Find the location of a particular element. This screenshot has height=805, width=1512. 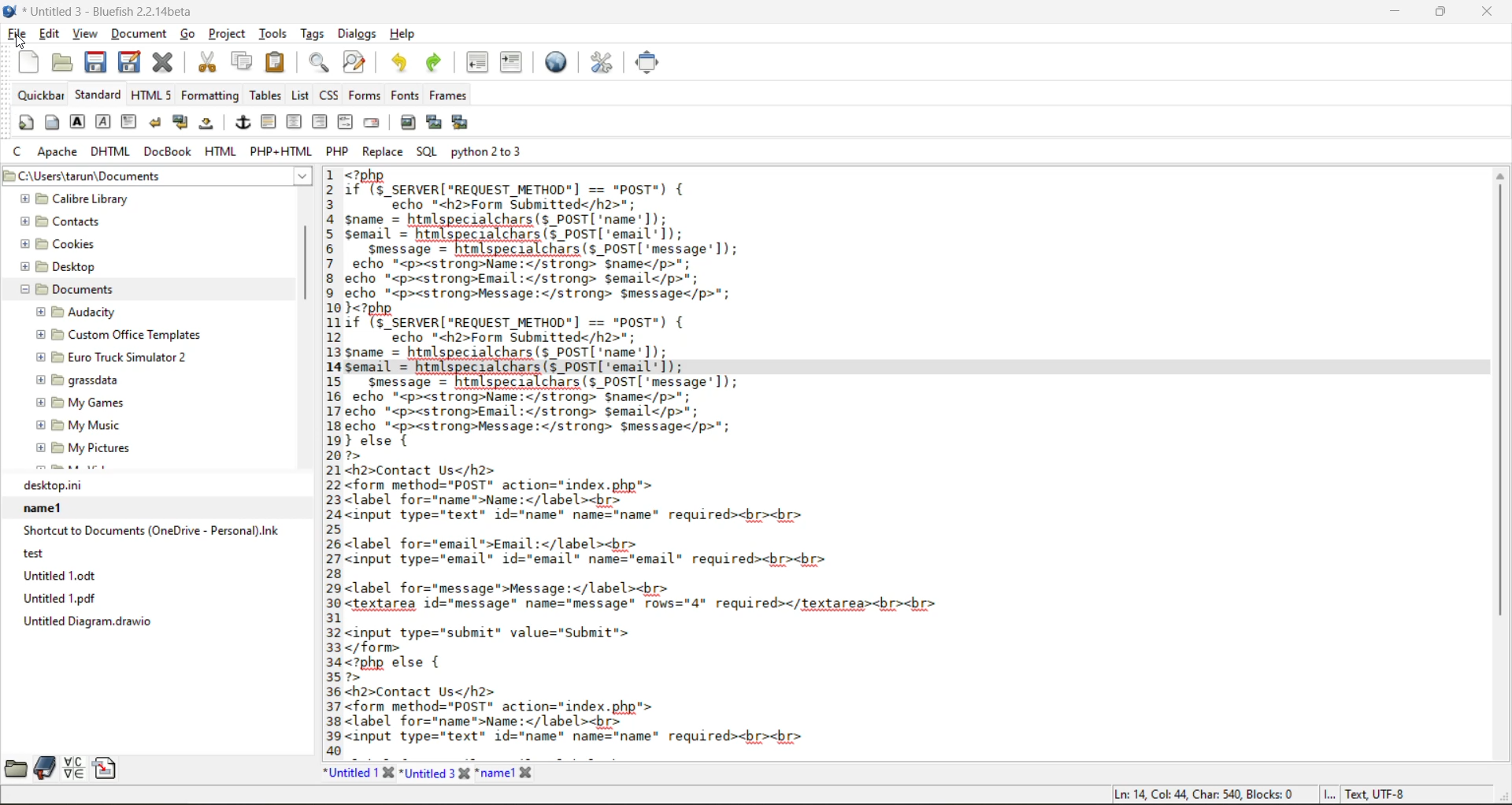

edit is located at coordinates (50, 35).